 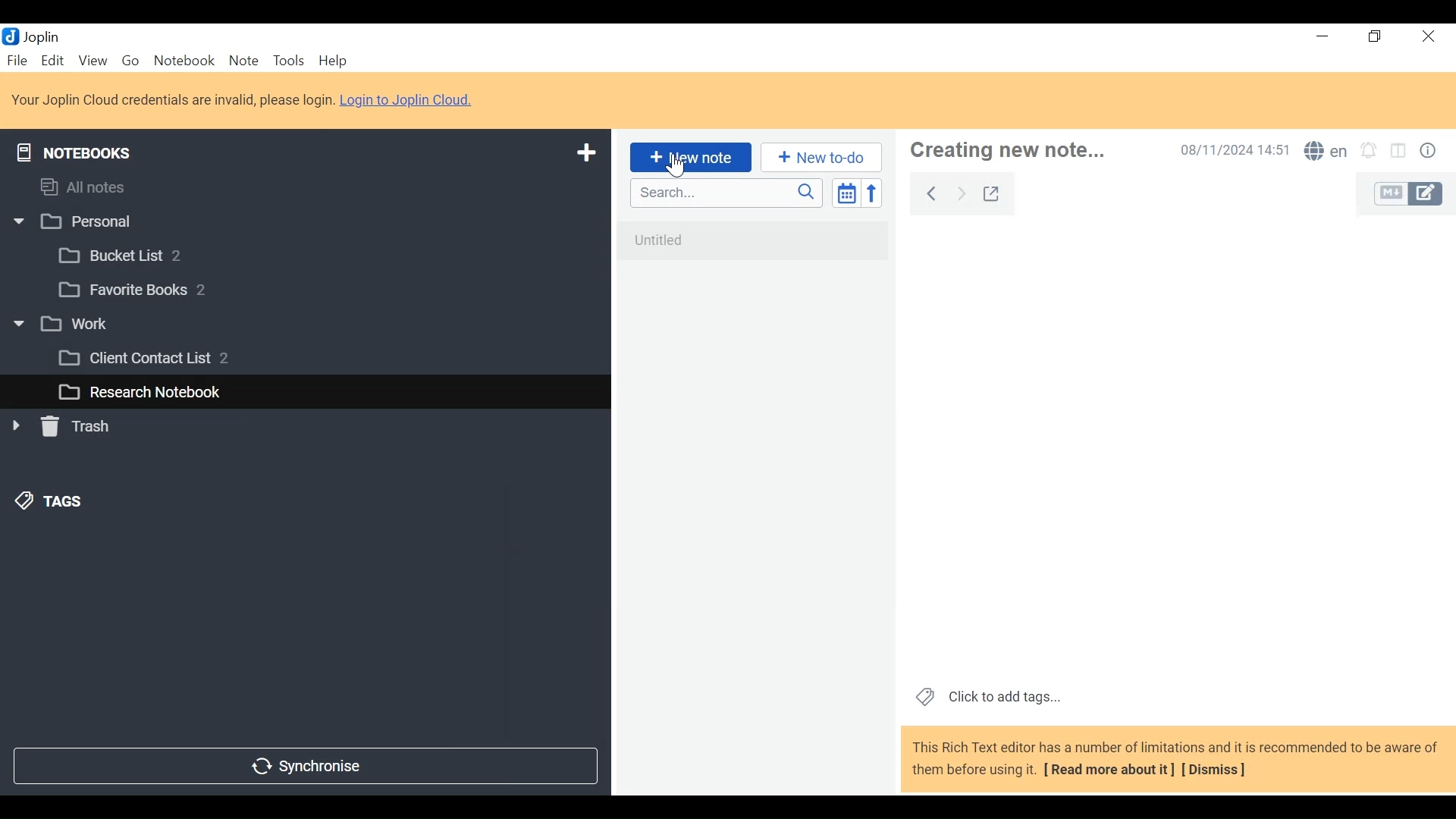 I want to click on » [ Trash, so click(x=80, y=426).